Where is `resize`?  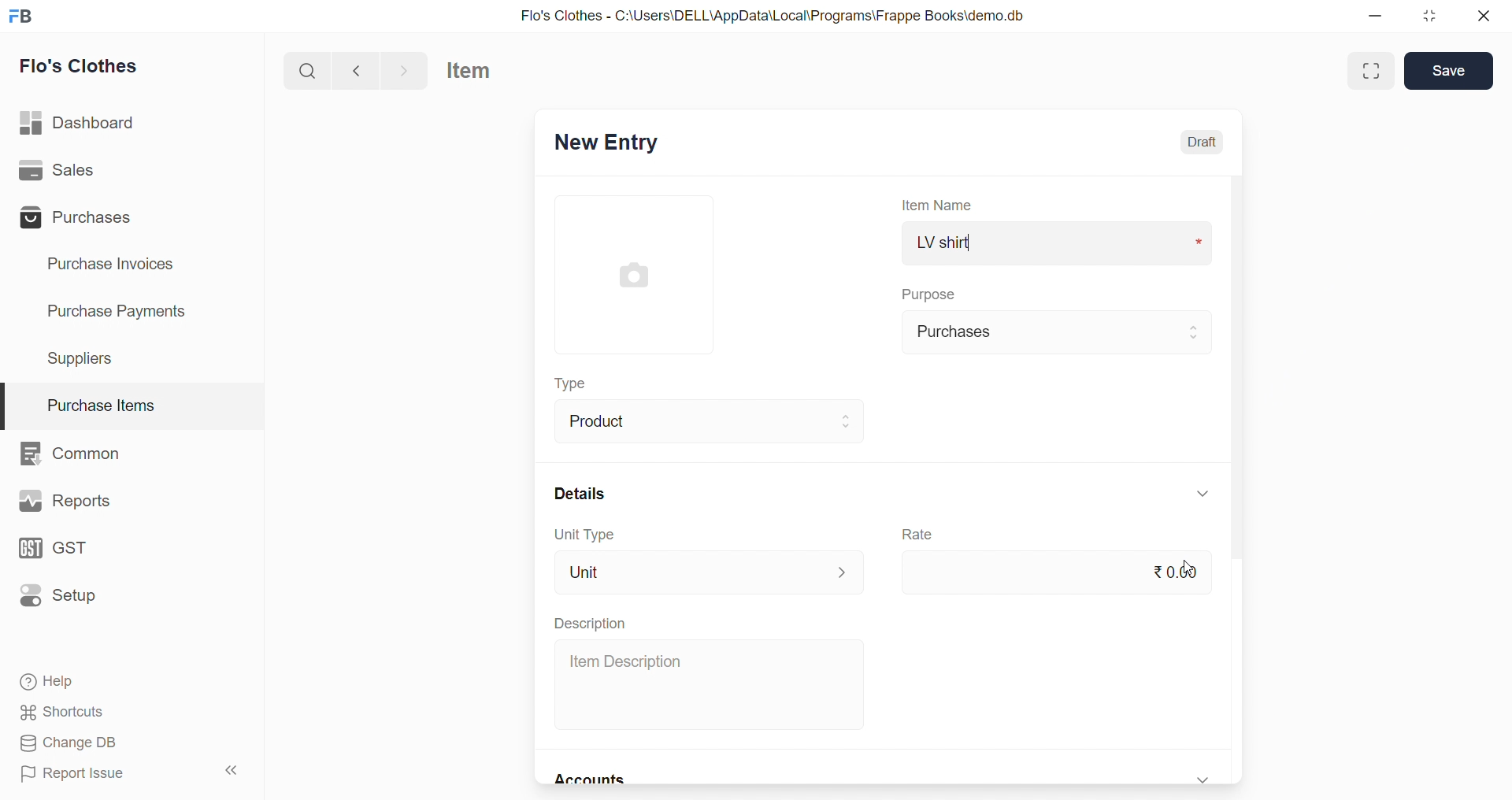 resize is located at coordinates (1430, 16).